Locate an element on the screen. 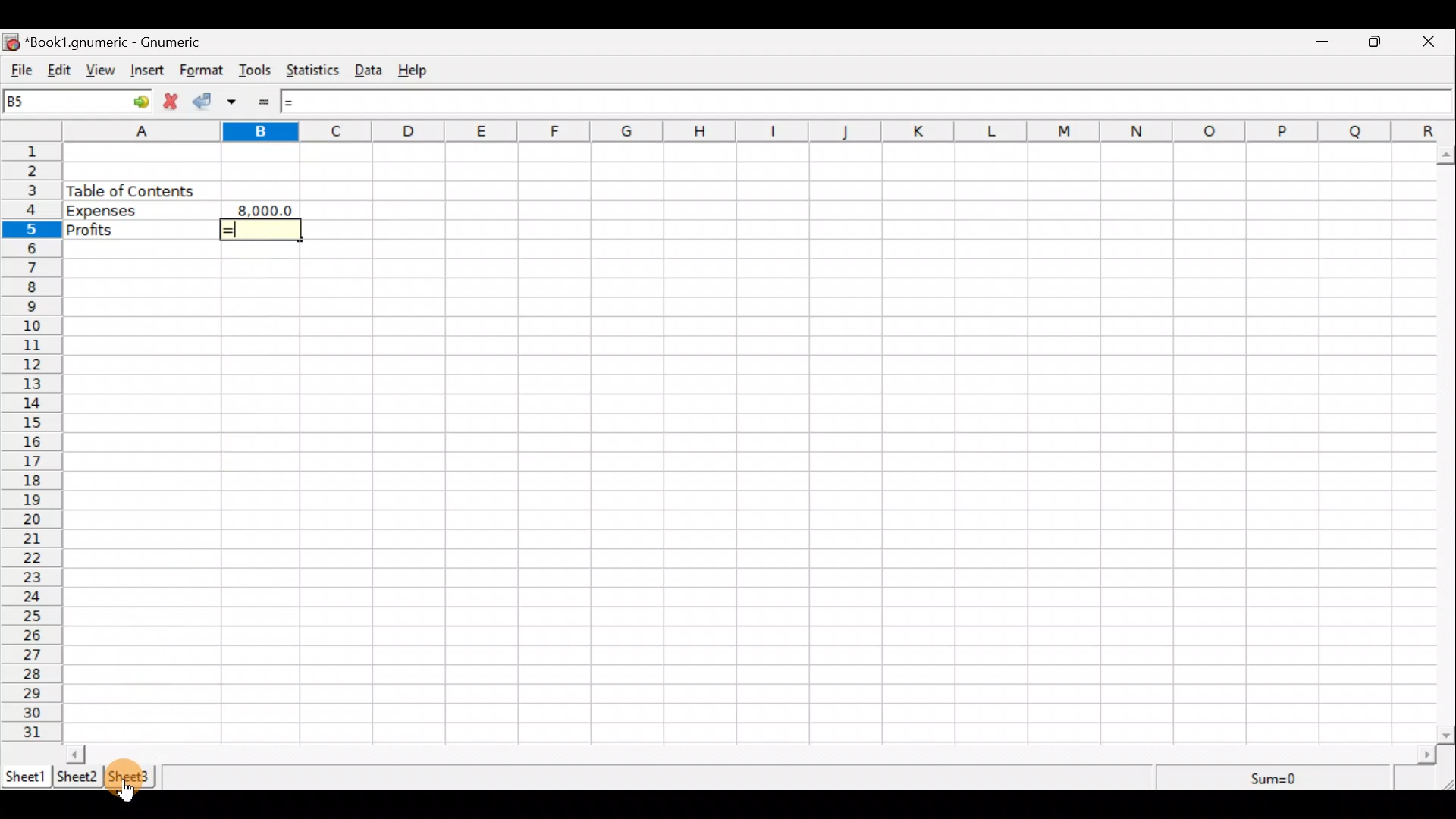 Image resolution: width=1456 pixels, height=819 pixels. Cells is located at coordinates (884, 439).